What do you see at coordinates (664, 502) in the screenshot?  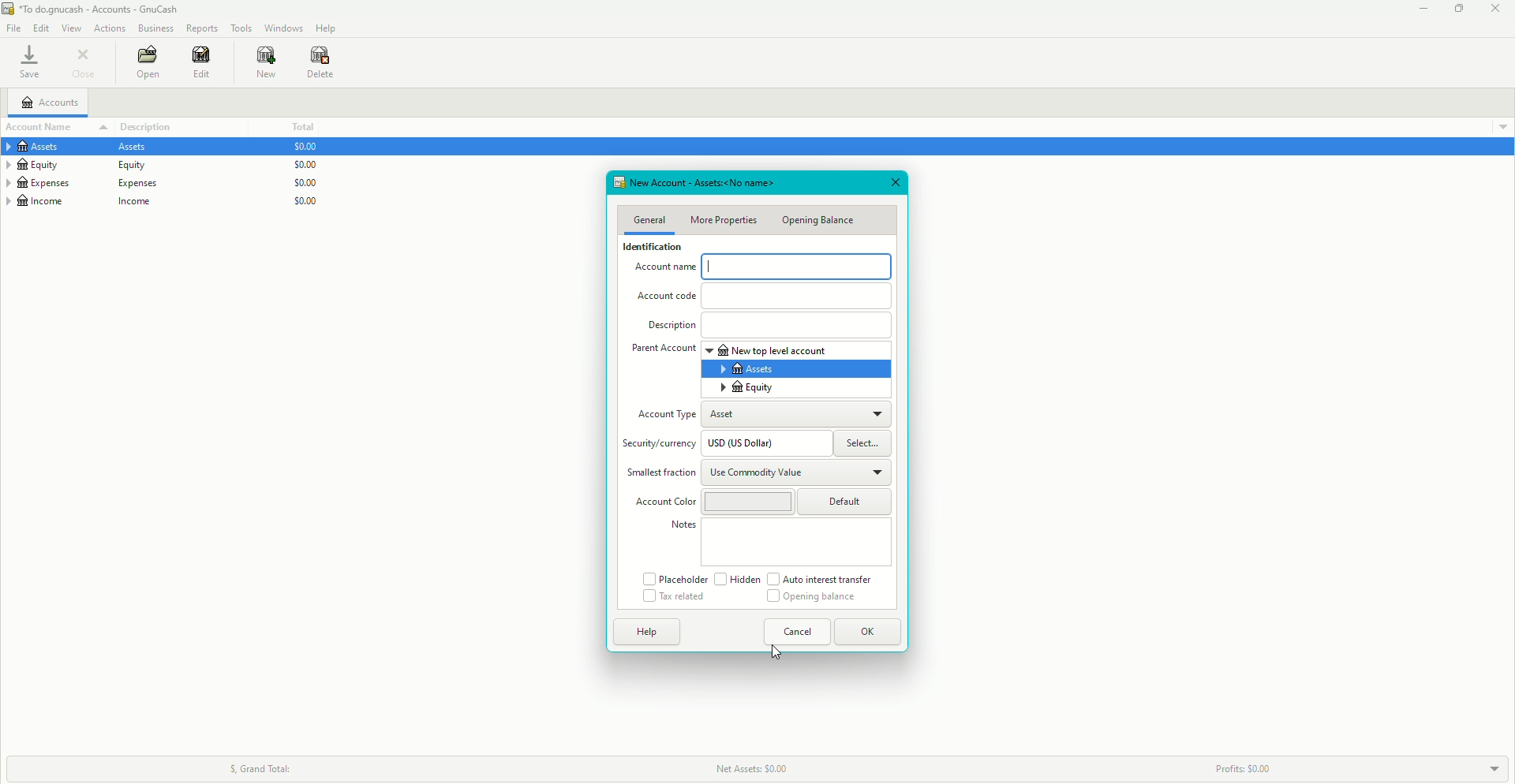 I see `Account Color` at bounding box center [664, 502].